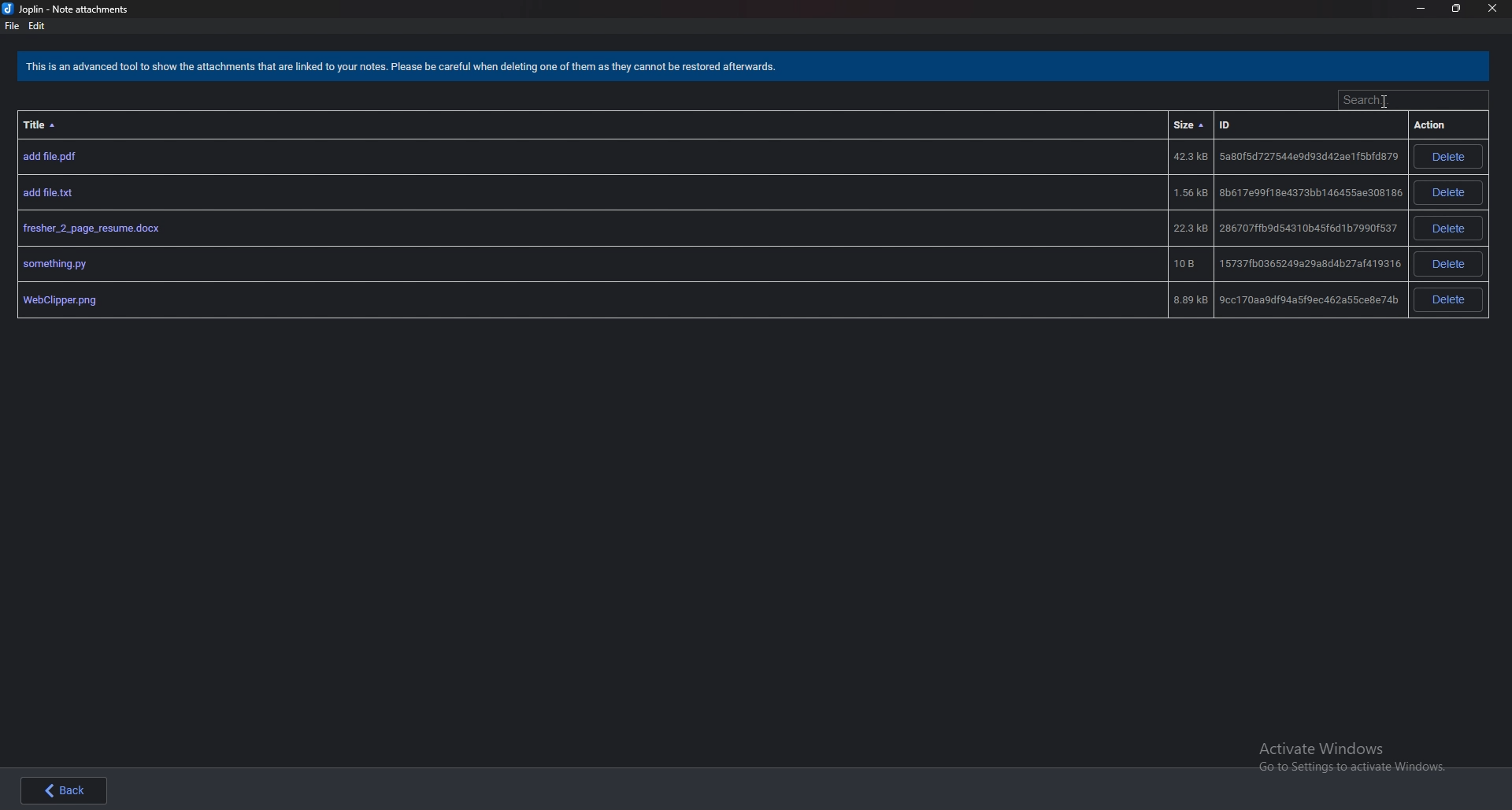 The width and height of the screenshot is (1512, 810). Describe the element at coordinates (707, 193) in the screenshot. I see `attachment` at that location.